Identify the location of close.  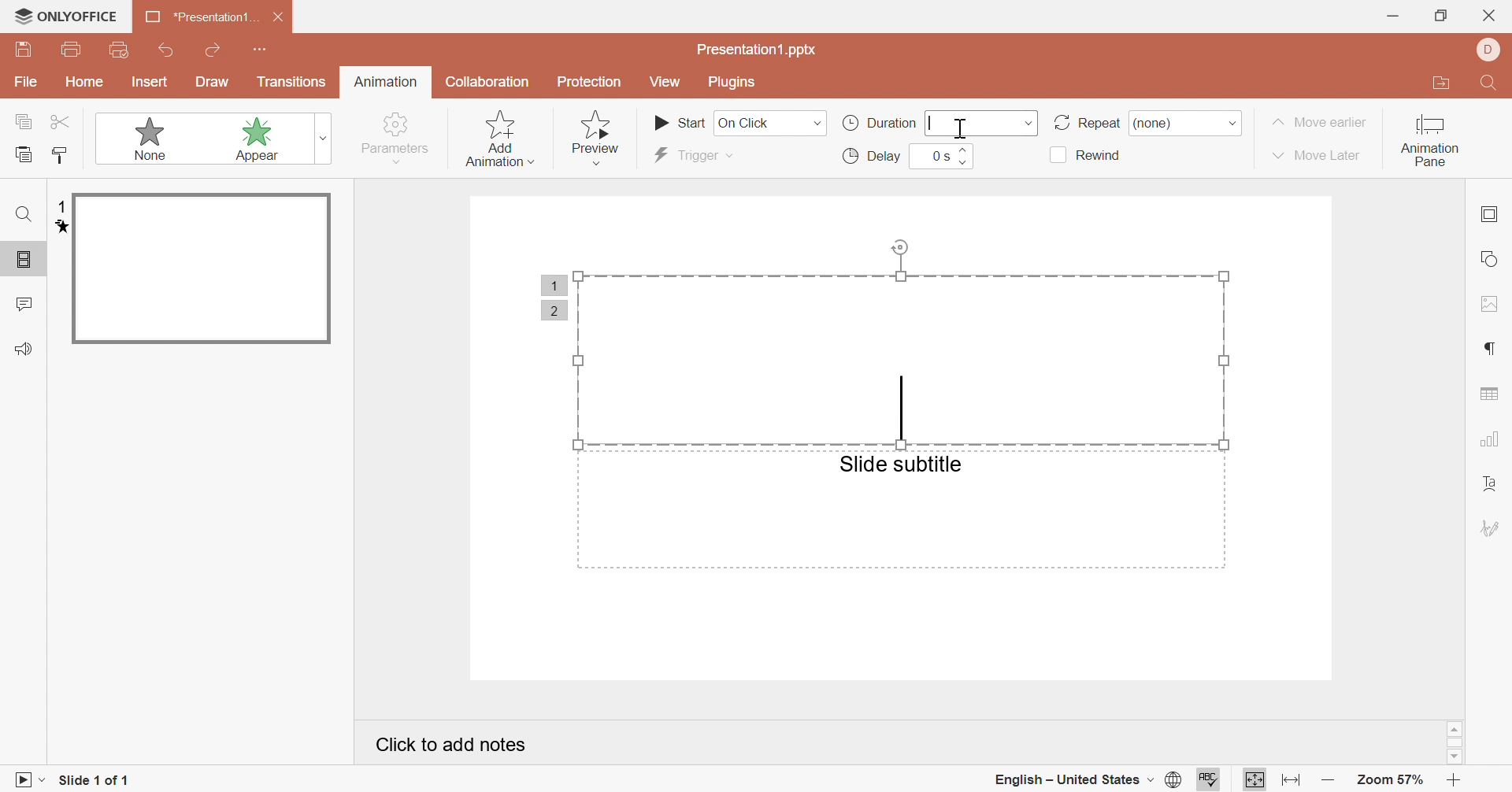
(1487, 15).